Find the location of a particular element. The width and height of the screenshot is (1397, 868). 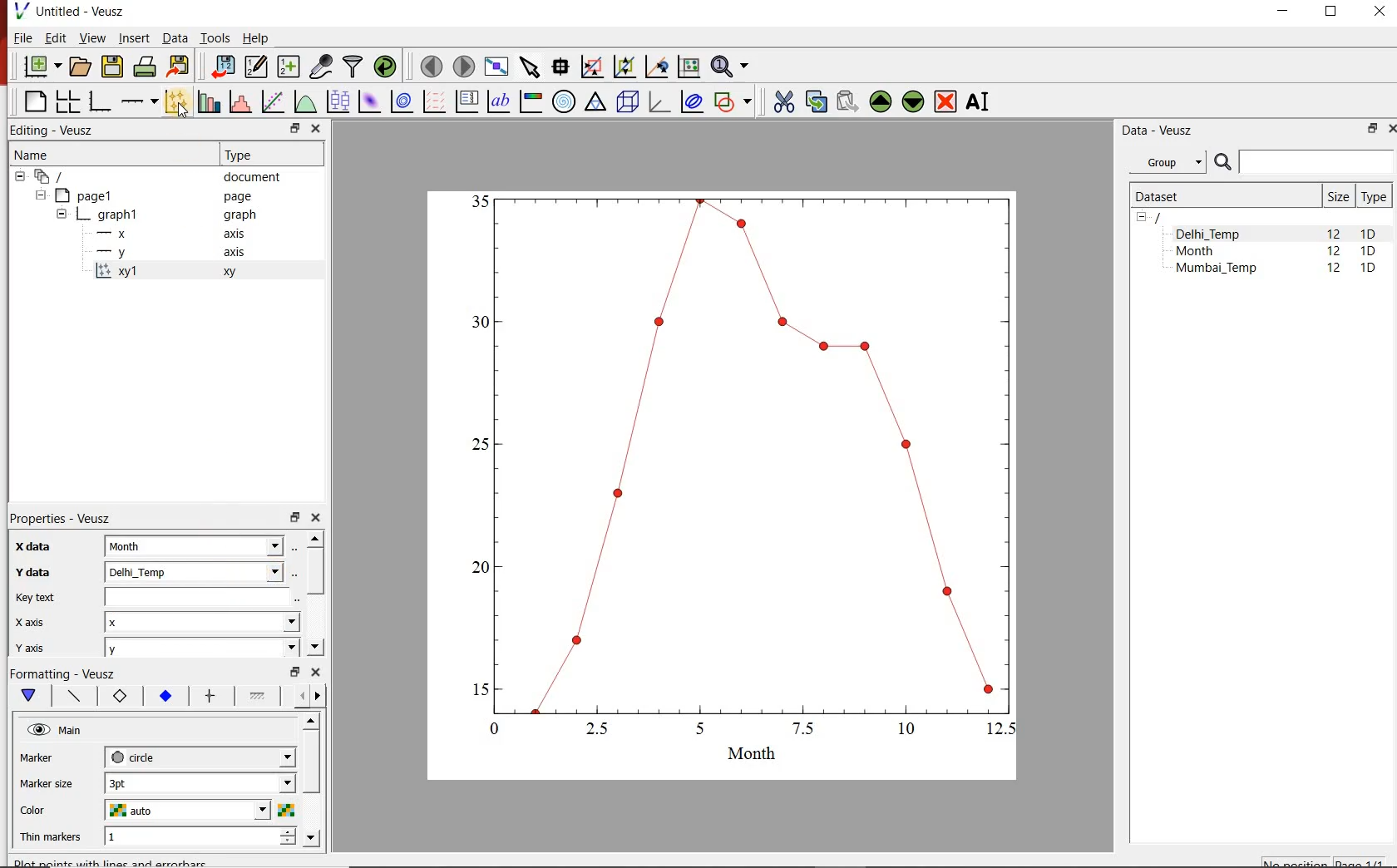

Ternary graph is located at coordinates (595, 103).